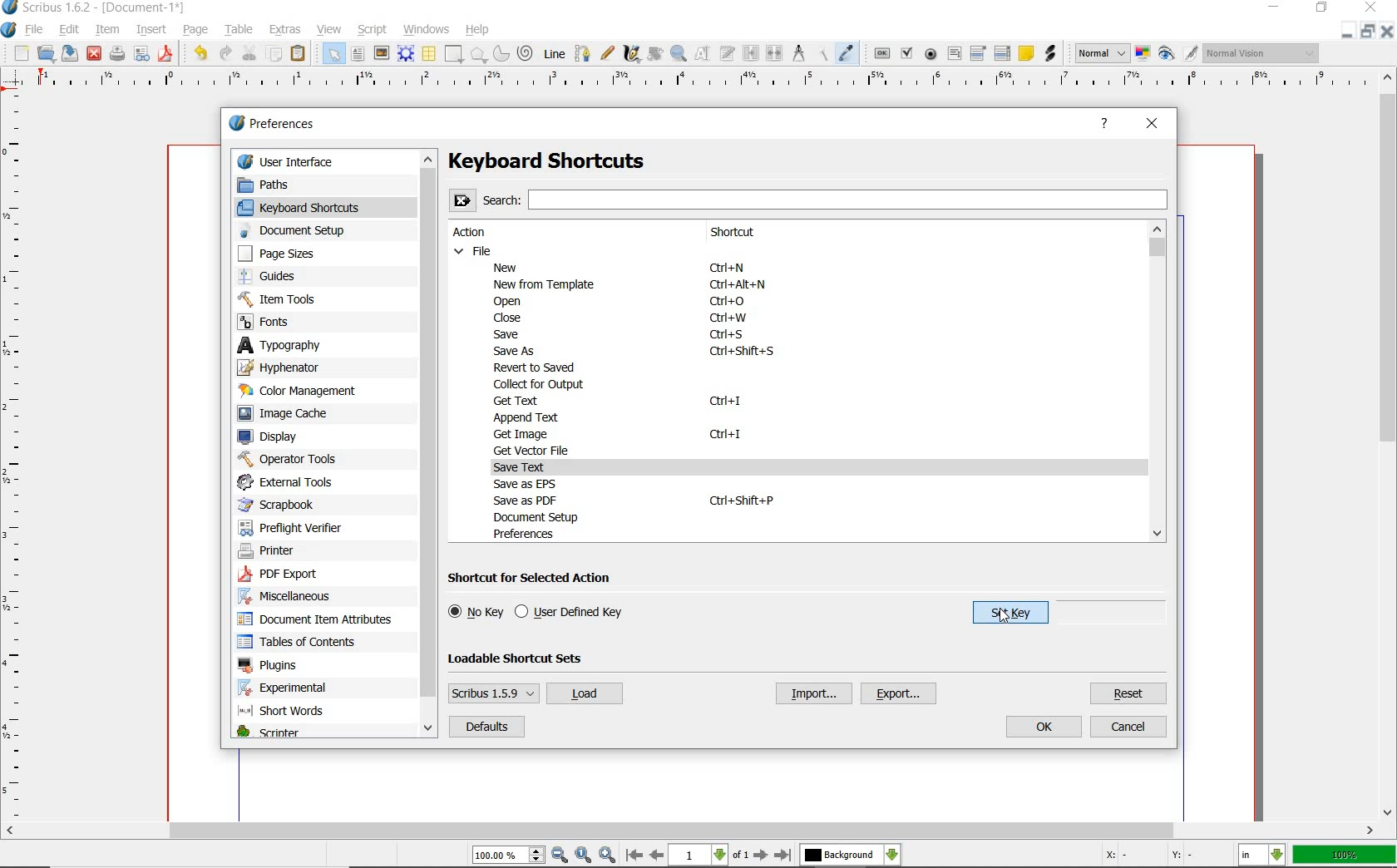 The width and height of the screenshot is (1397, 868). Describe the element at coordinates (294, 345) in the screenshot. I see `typography` at that location.